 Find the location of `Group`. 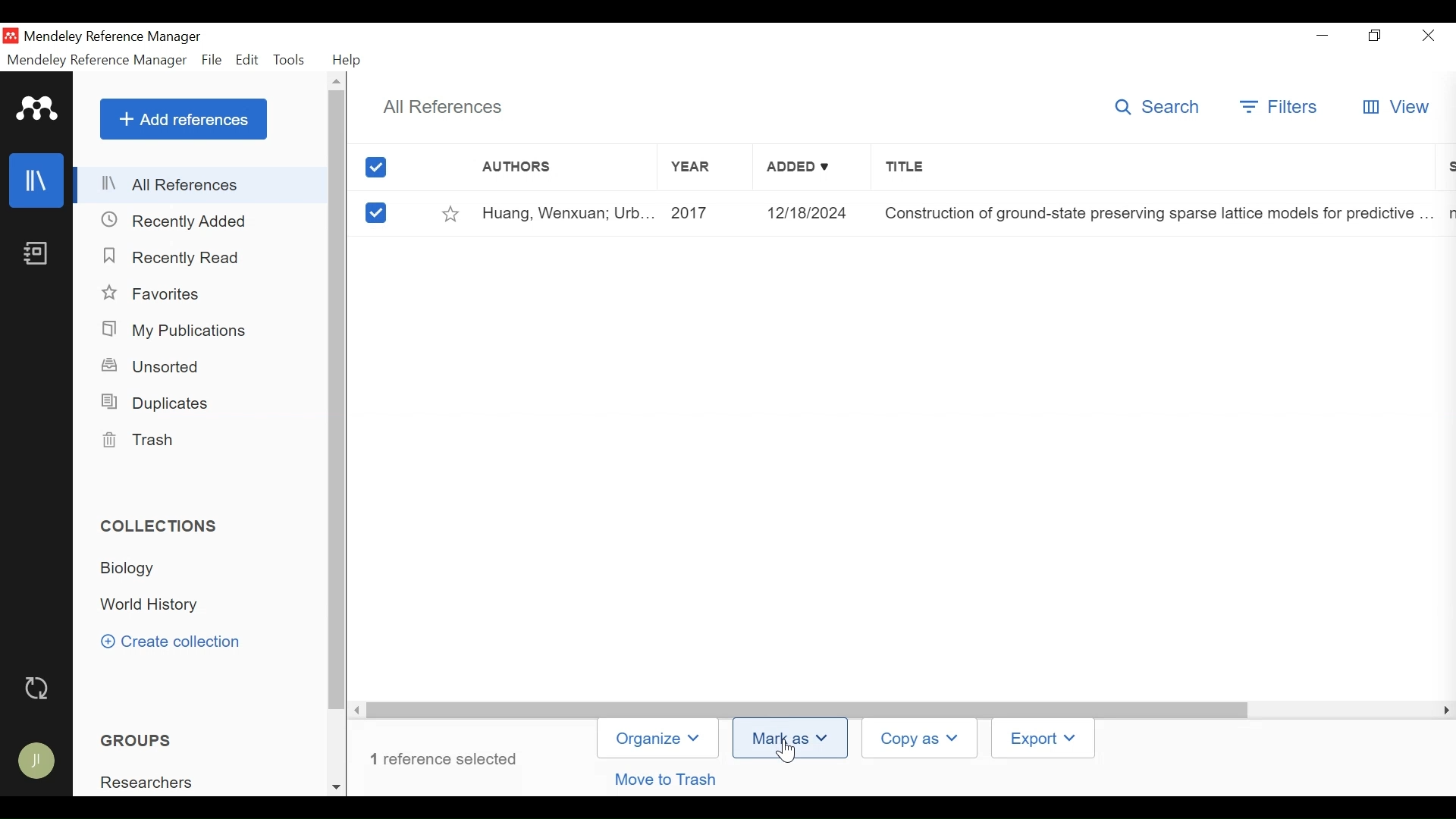

Group is located at coordinates (156, 782).